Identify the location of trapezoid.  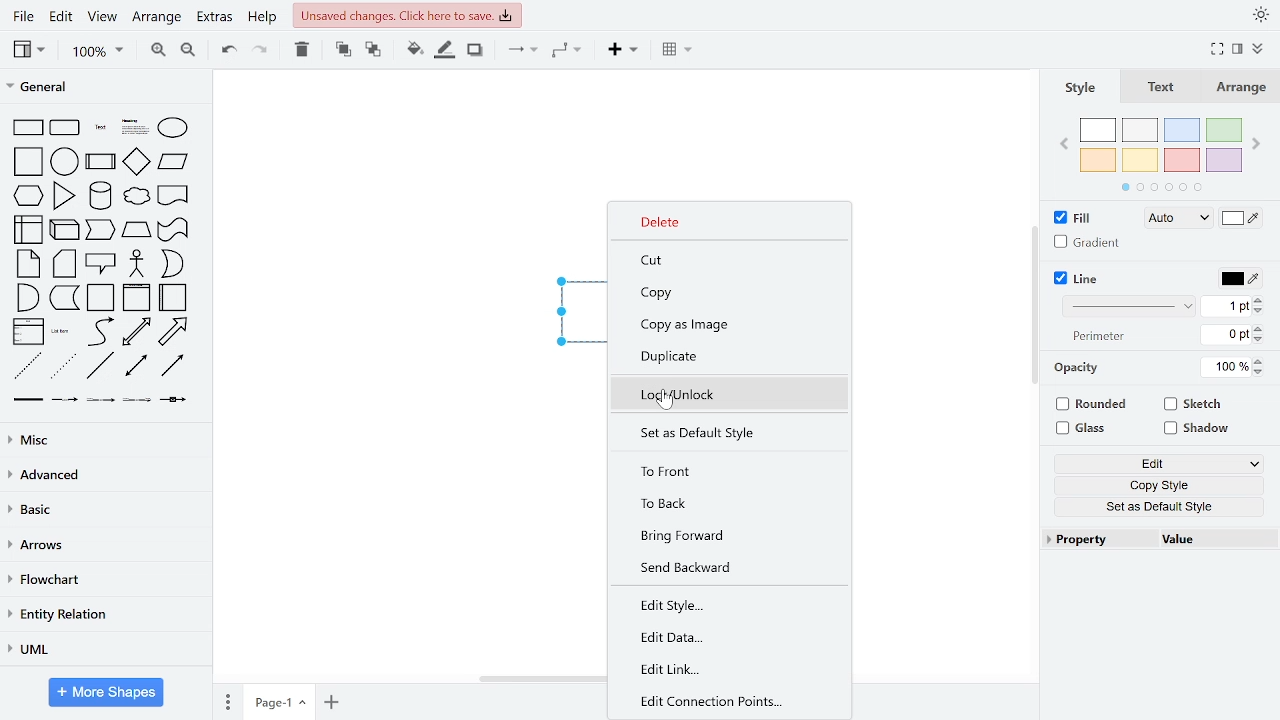
(173, 229).